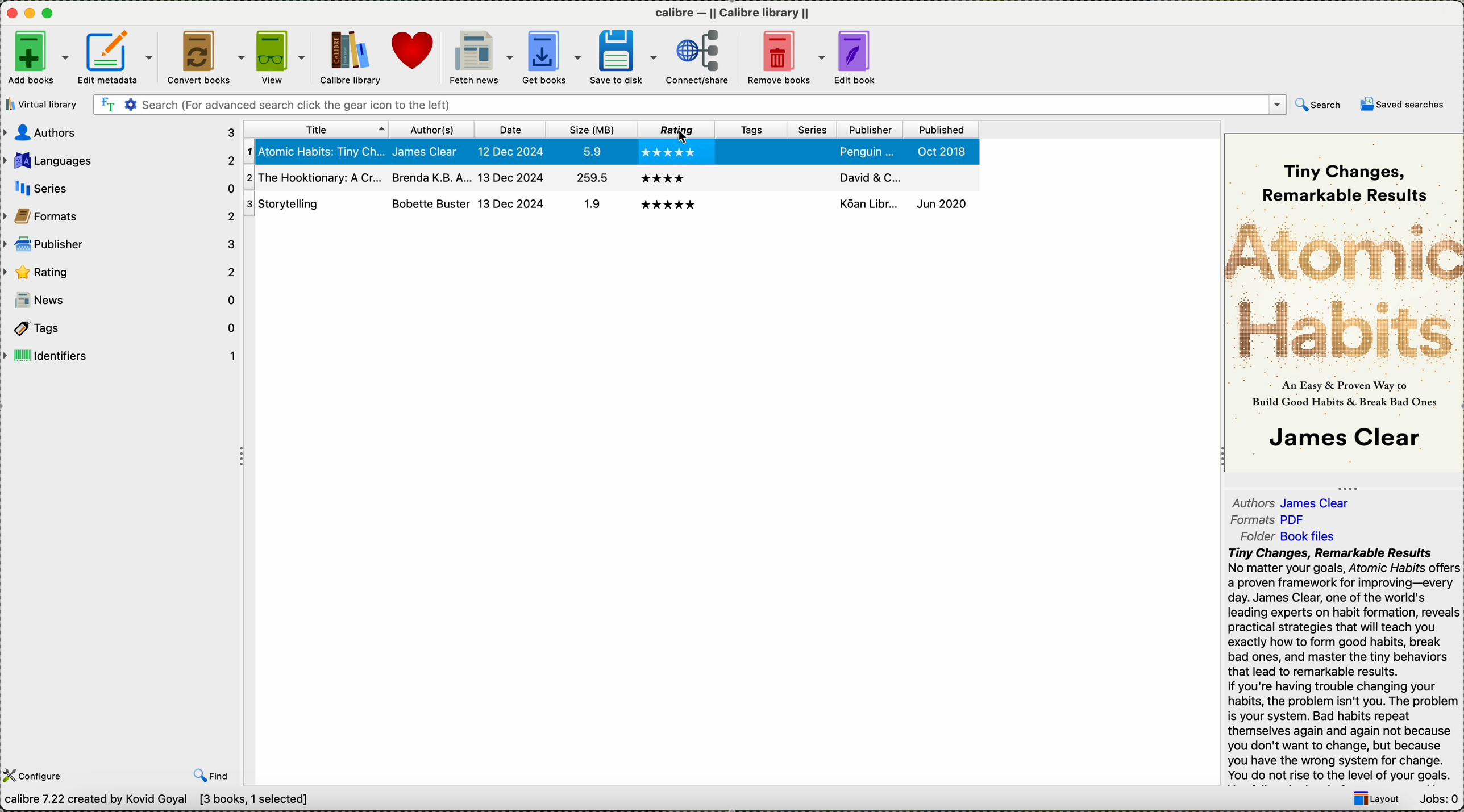 The width and height of the screenshot is (1464, 812). What do you see at coordinates (479, 57) in the screenshot?
I see `fetch news` at bounding box center [479, 57].